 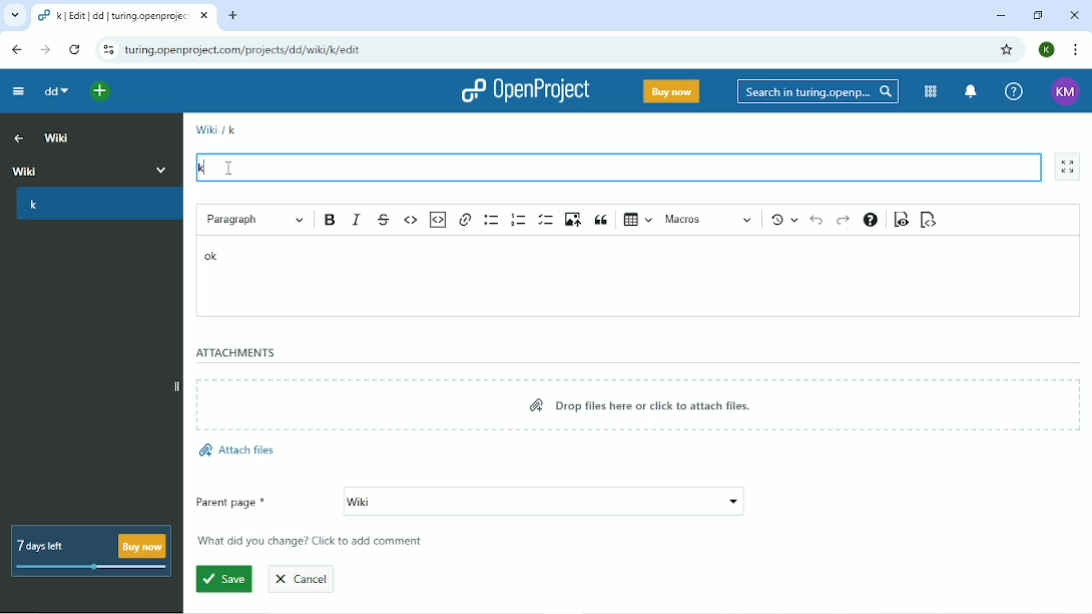 I want to click on Italic, so click(x=356, y=219).